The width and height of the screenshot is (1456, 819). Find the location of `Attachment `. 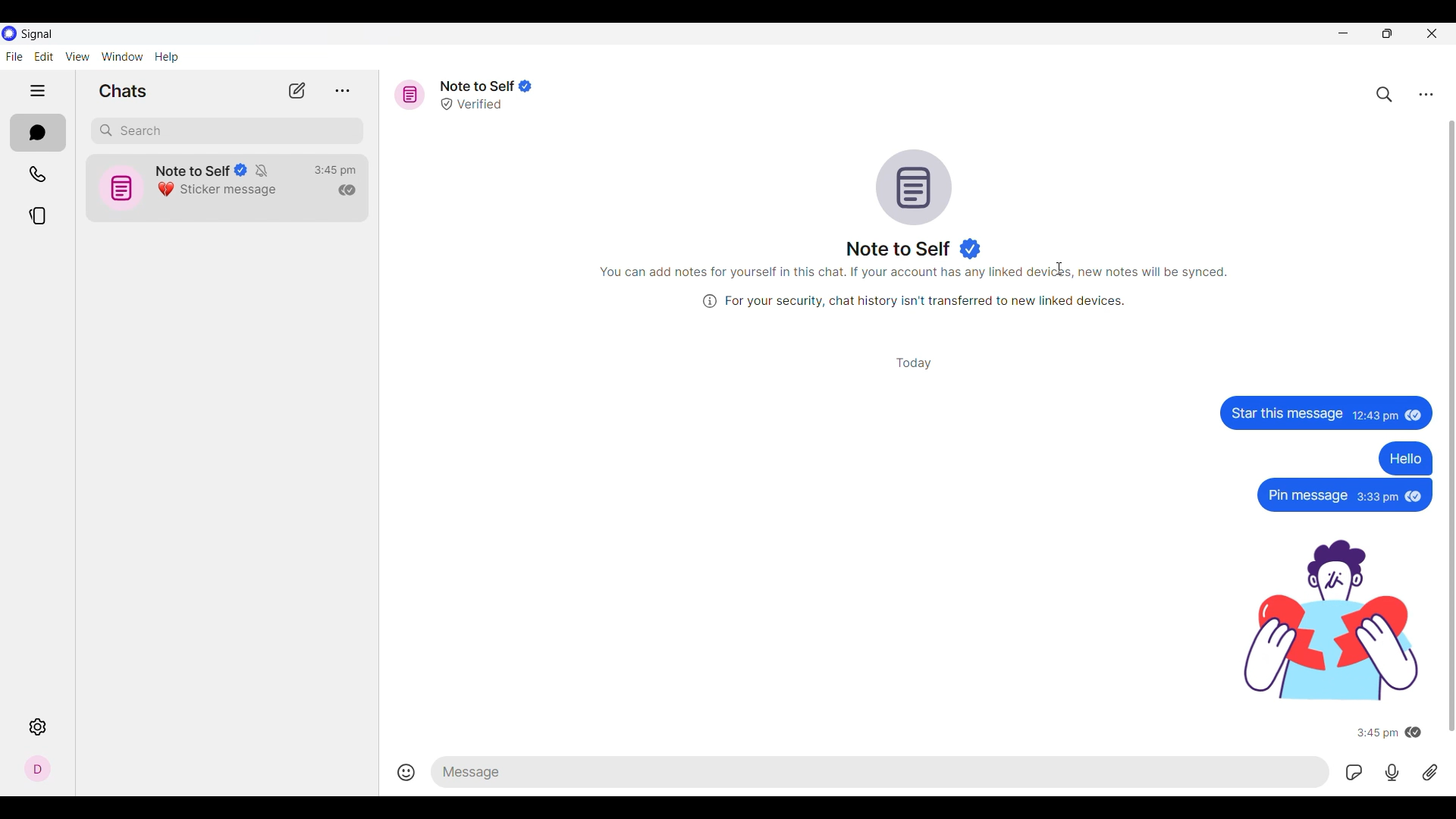

Attachment  is located at coordinates (1429, 772).